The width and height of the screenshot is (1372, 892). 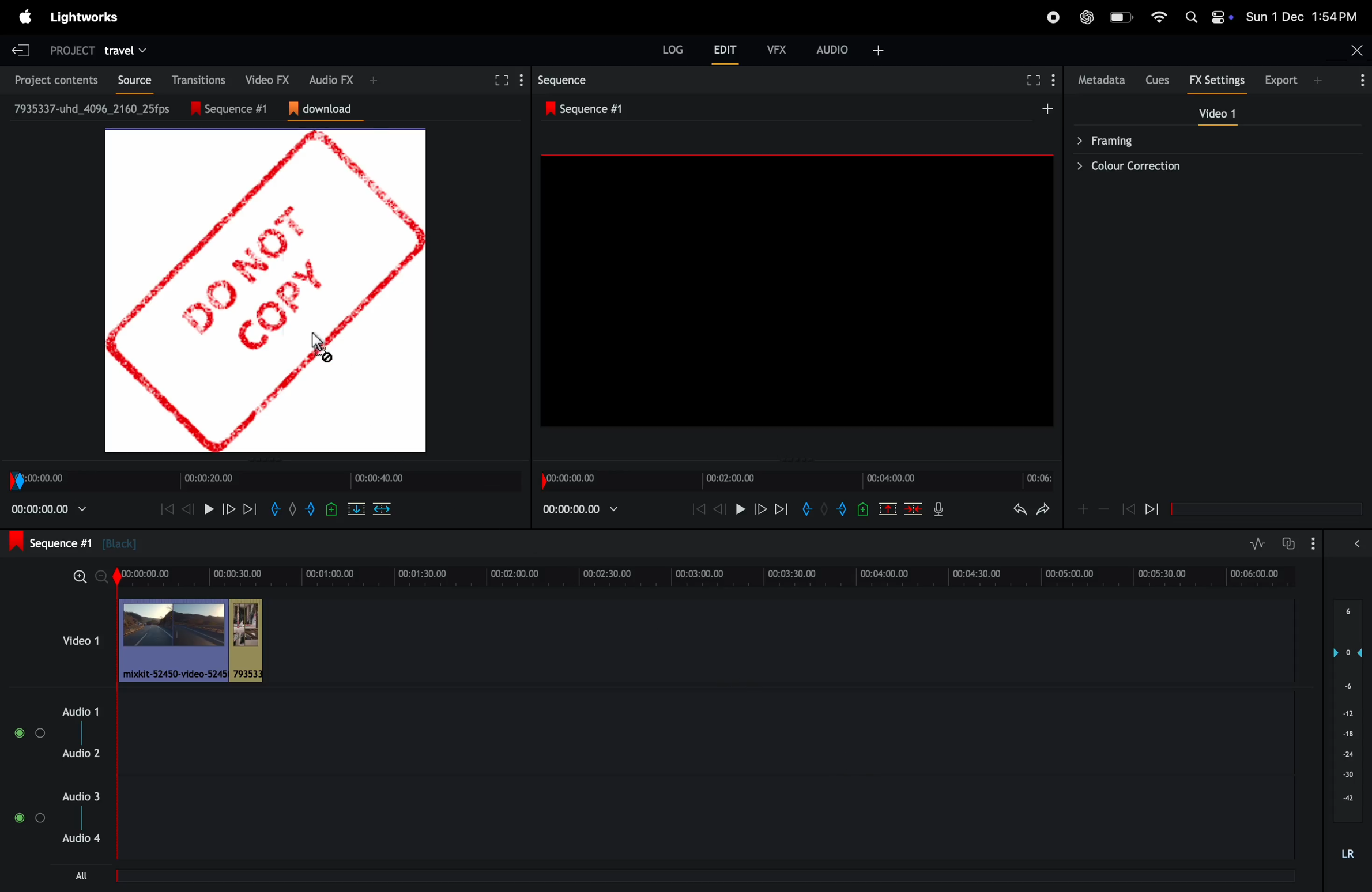 What do you see at coordinates (589, 109) in the screenshot?
I see `sequence #1` at bounding box center [589, 109].